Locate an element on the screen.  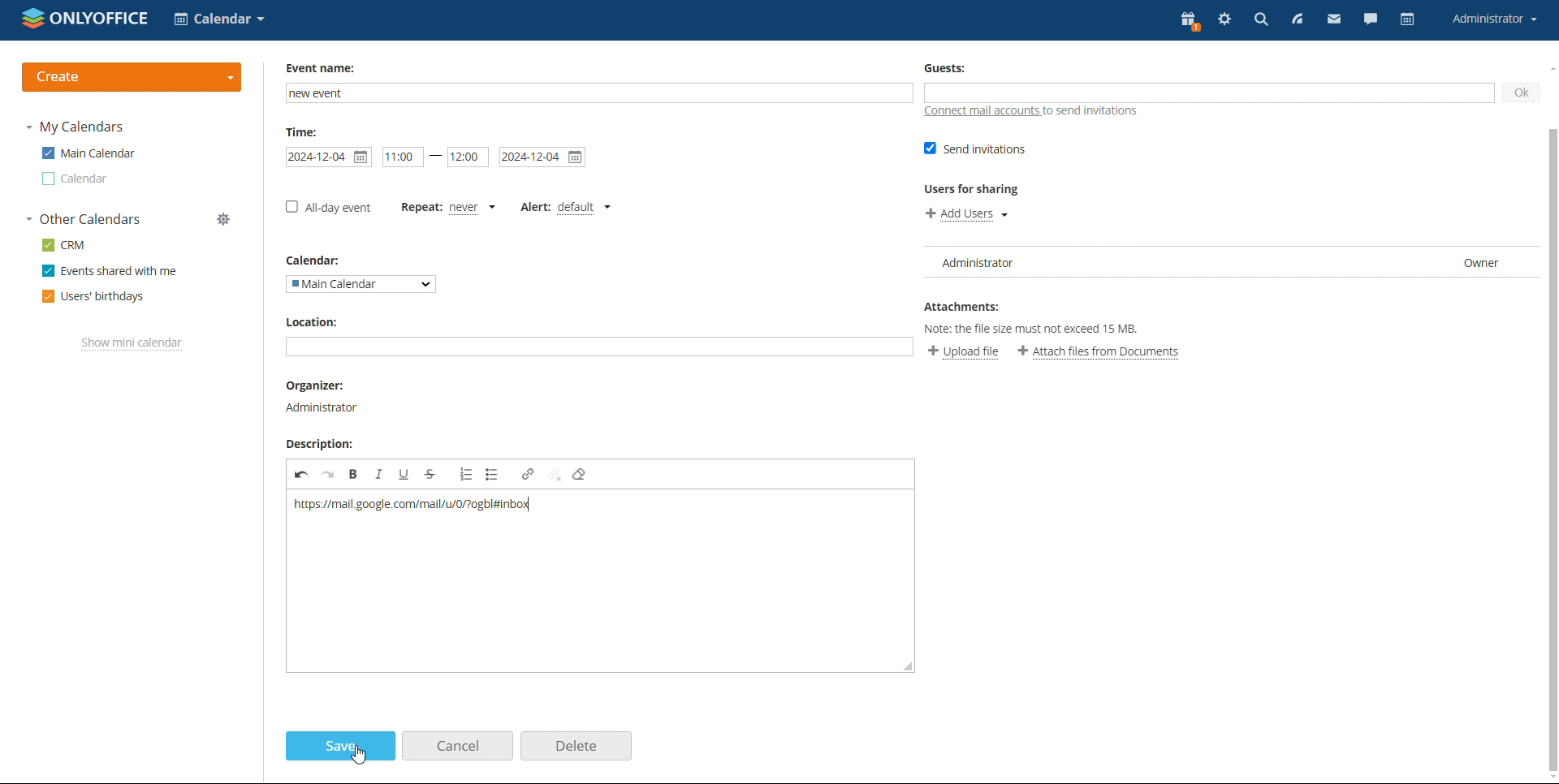
end time is located at coordinates (469, 156).